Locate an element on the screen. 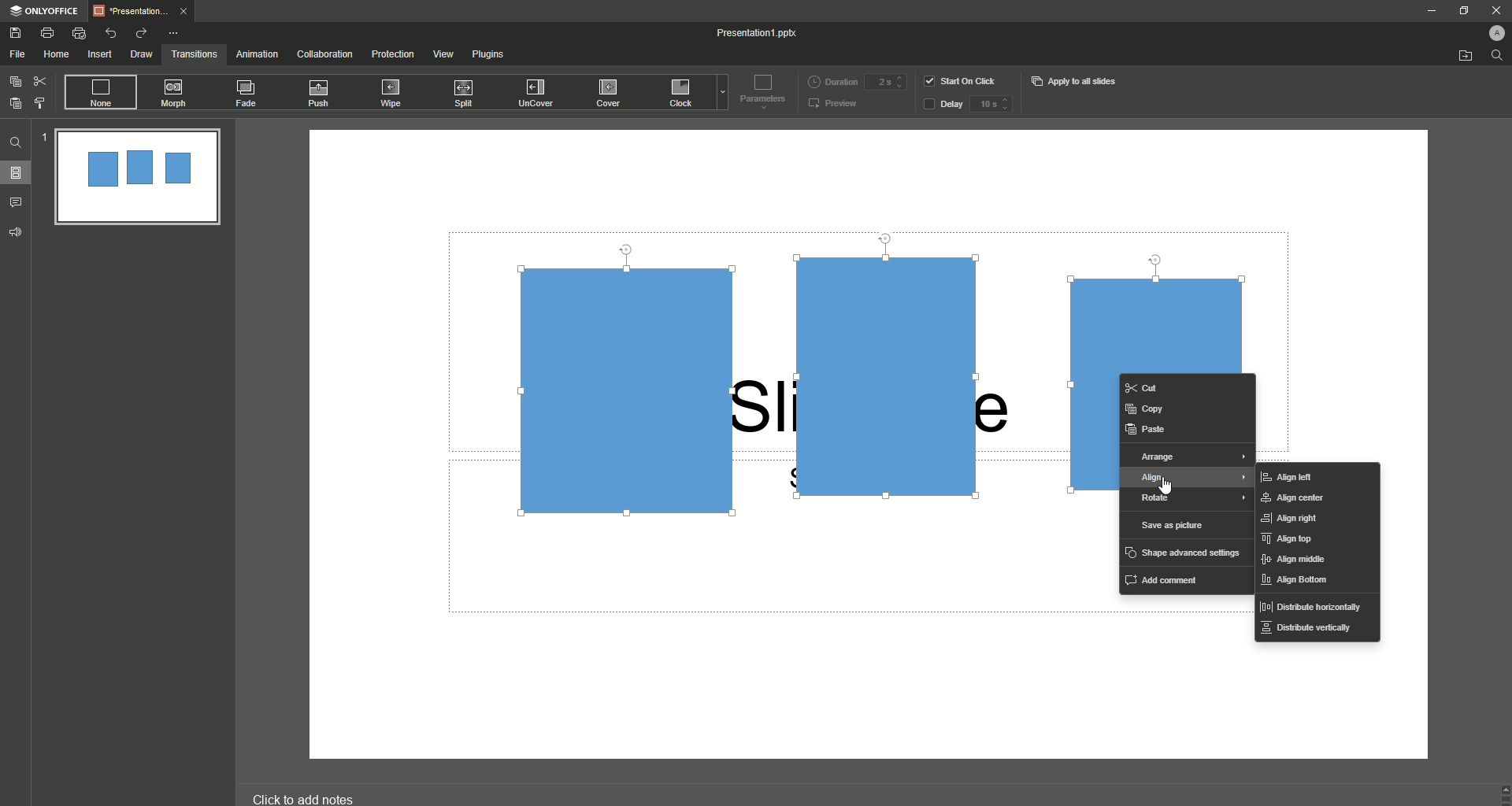 The image size is (1512, 806). Align middle is located at coordinates (1293, 561).